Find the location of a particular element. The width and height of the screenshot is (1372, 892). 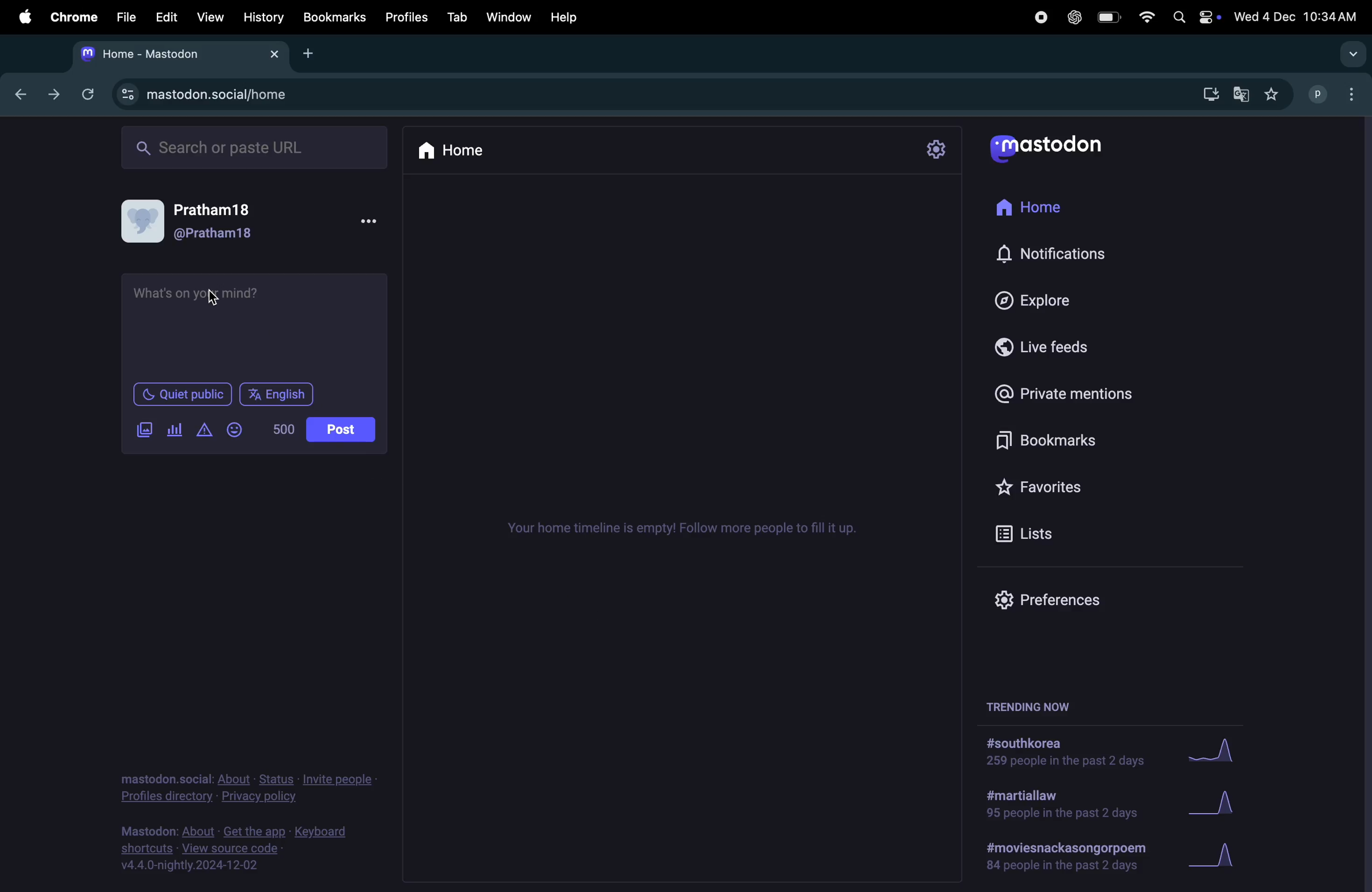

go next is located at coordinates (52, 95).